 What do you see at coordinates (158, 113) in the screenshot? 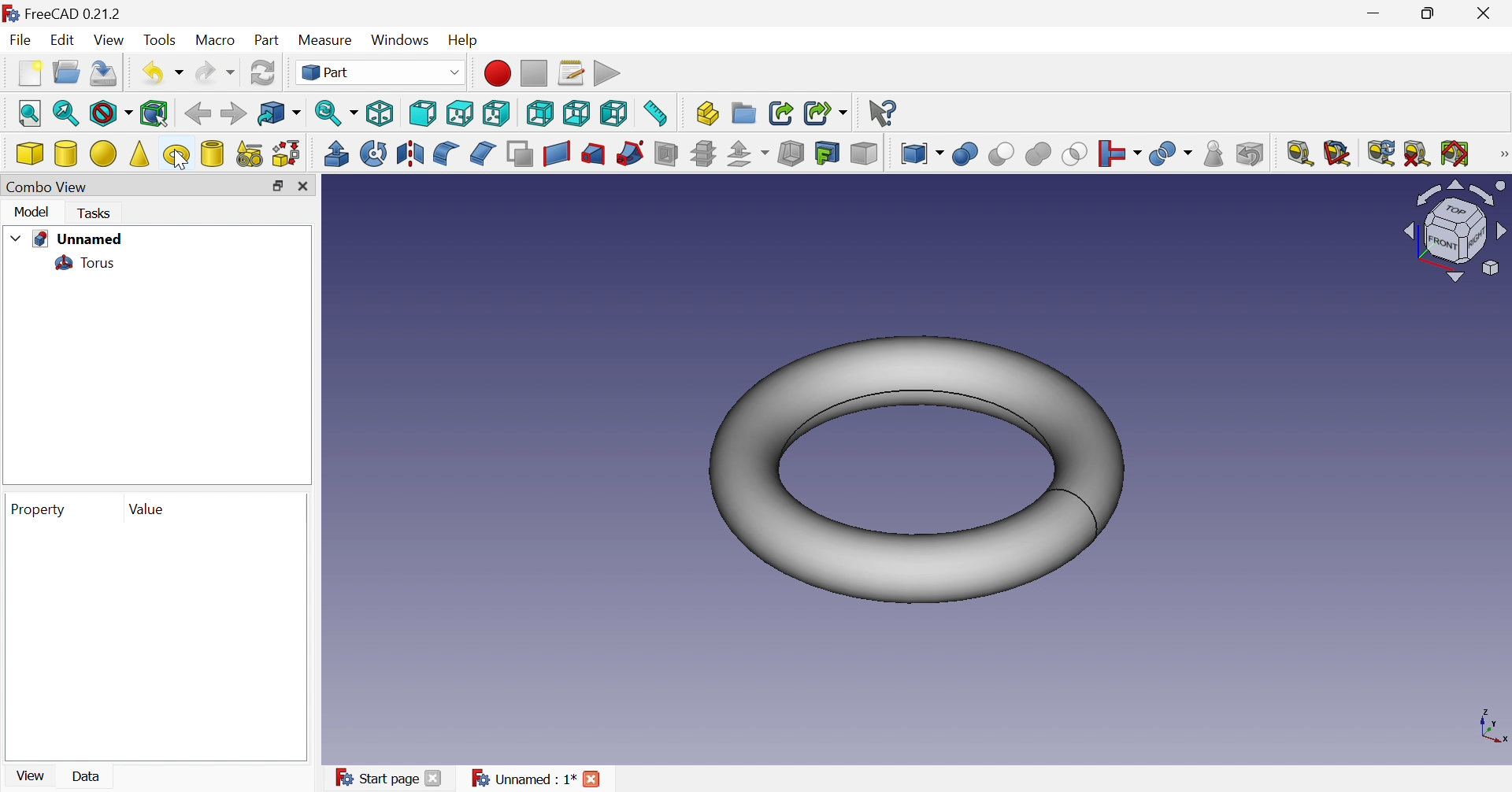
I see `Boundary box` at bounding box center [158, 113].